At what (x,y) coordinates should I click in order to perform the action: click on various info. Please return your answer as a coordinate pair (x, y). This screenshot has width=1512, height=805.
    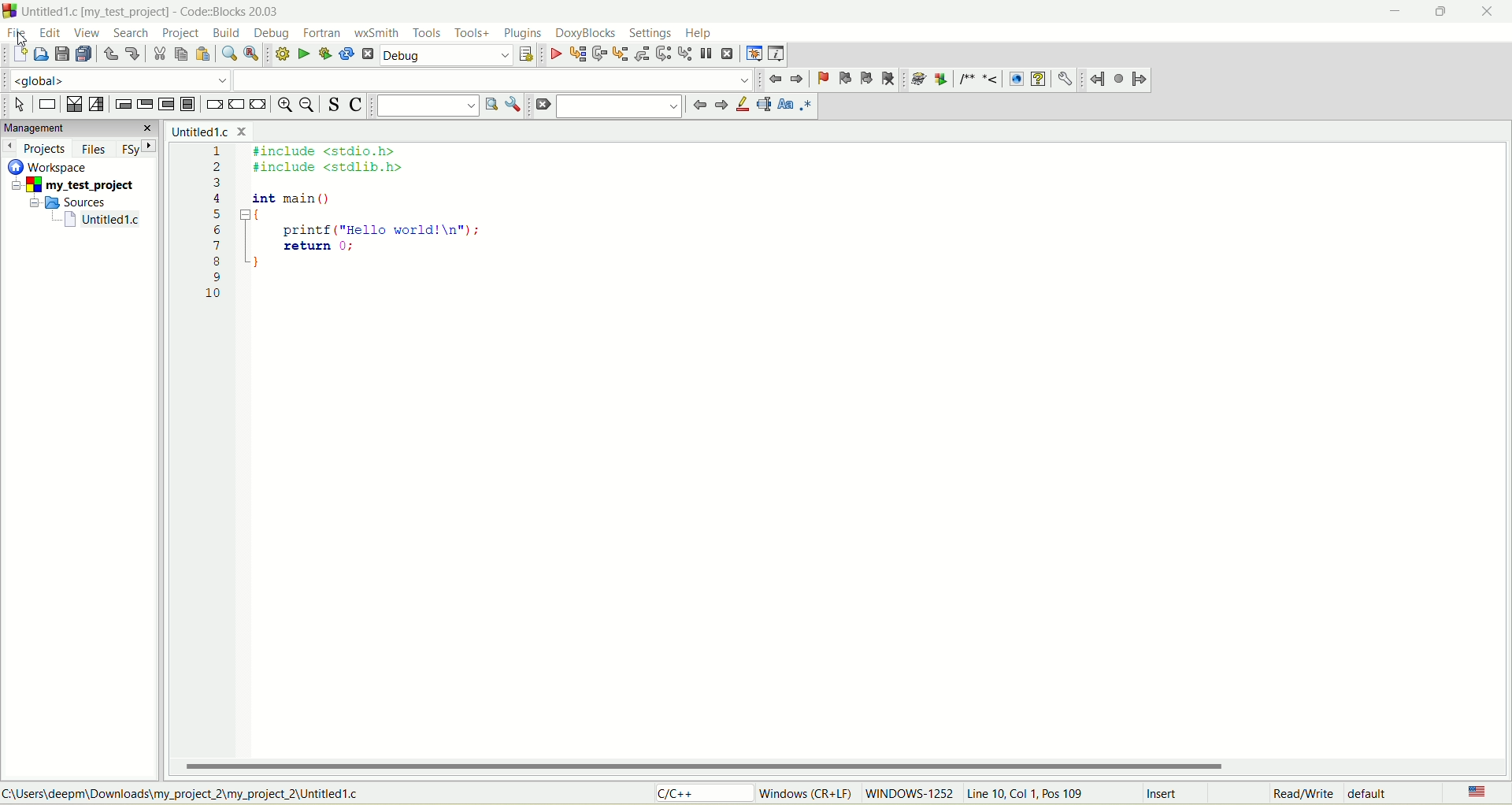
    Looking at the image, I should click on (775, 52).